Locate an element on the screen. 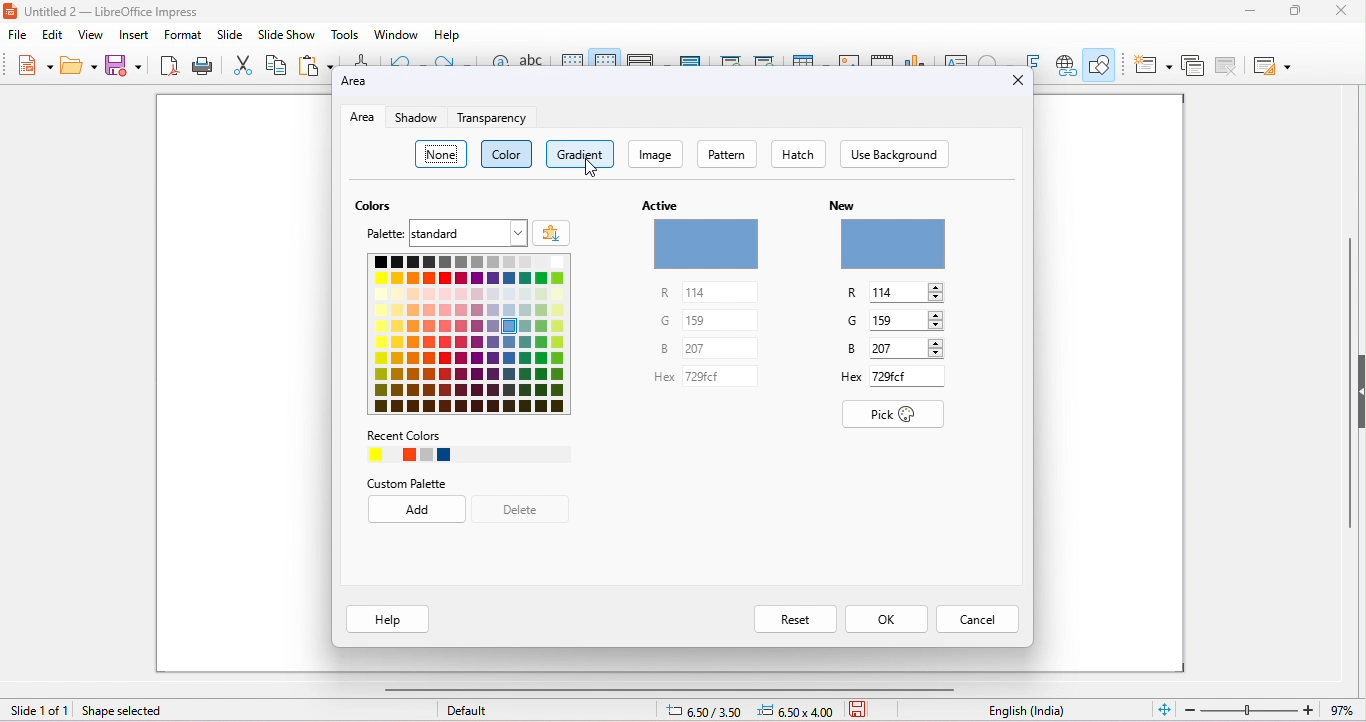 The image size is (1366, 722). dd is located at coordinates (417, 511).